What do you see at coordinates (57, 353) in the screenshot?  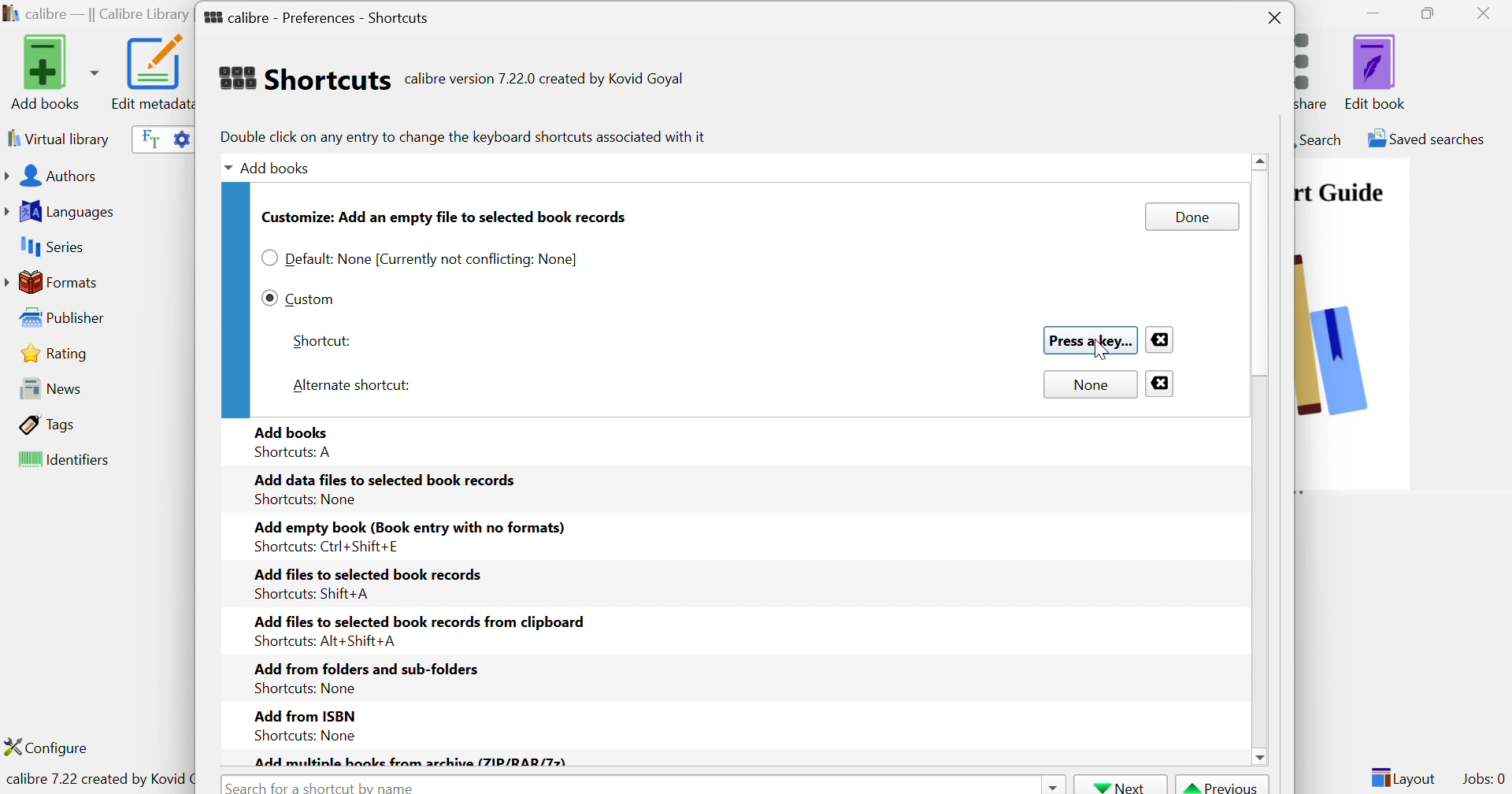 I see `Rating` at bounding box center [57, 353].